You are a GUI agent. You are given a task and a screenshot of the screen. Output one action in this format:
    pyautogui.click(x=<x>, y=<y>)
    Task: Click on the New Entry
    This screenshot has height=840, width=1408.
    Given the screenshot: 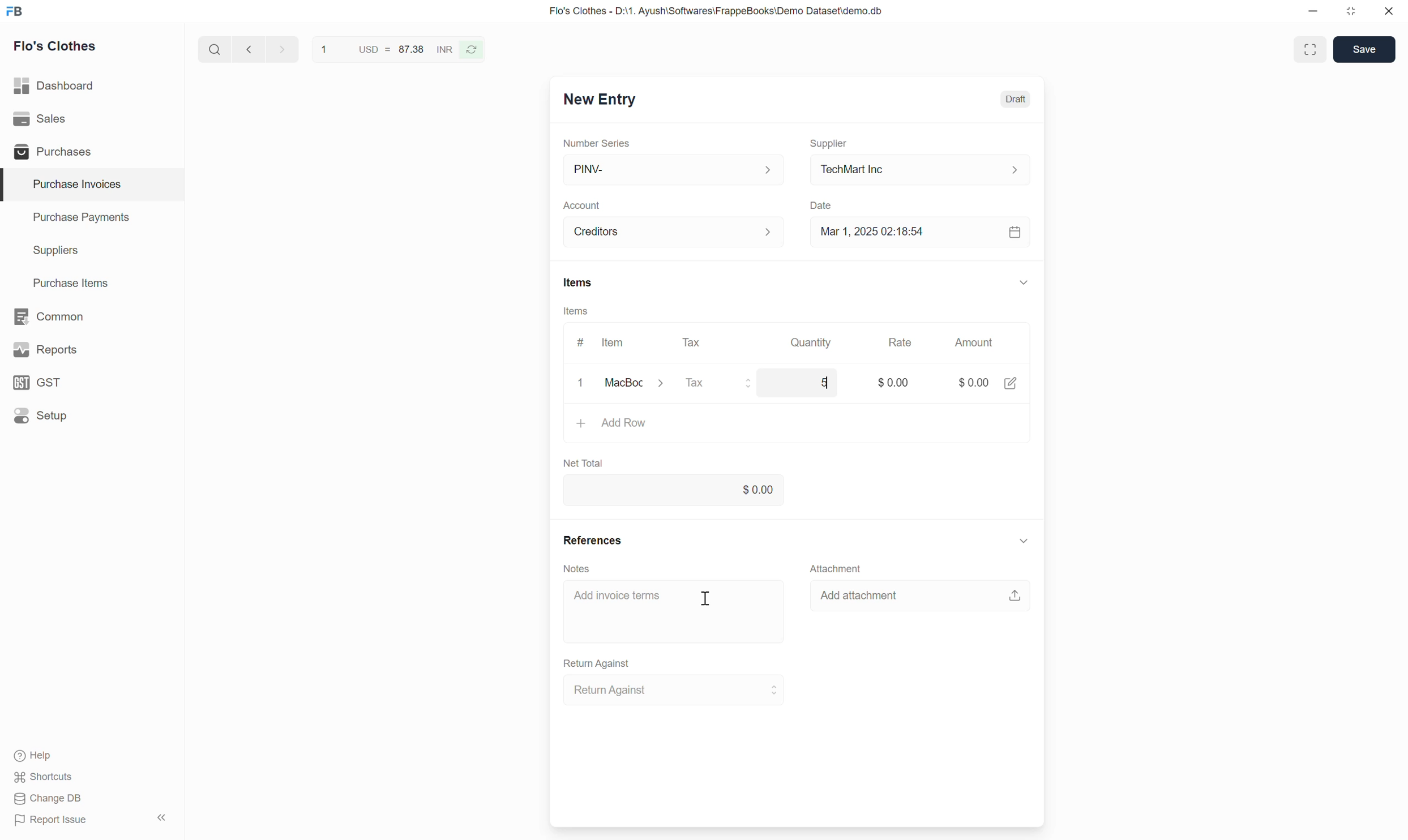 What is the action you would take?
    pyautogui.click(x=601, y=100)
    